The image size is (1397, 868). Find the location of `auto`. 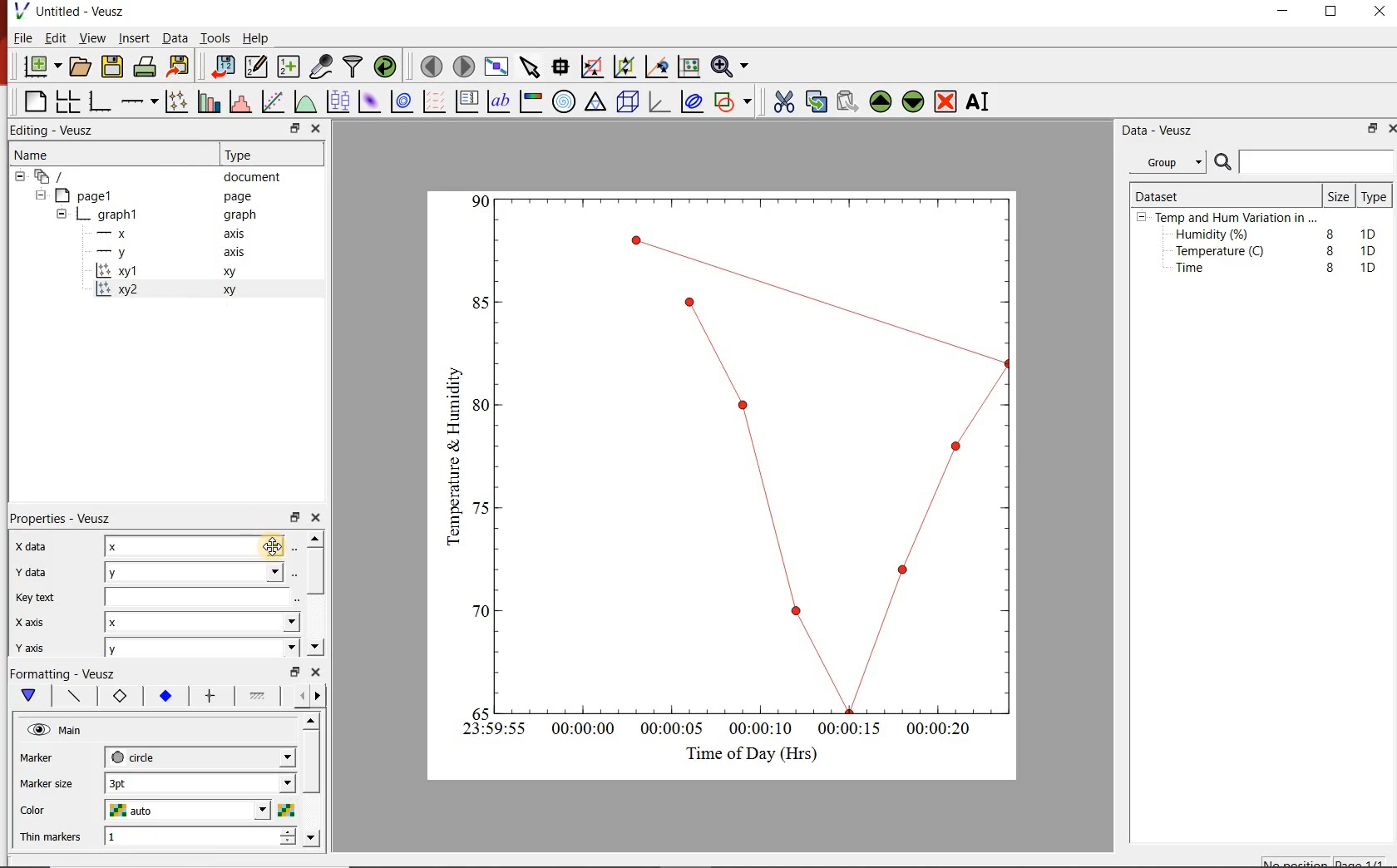

auto is located at coordinates (134, 811).